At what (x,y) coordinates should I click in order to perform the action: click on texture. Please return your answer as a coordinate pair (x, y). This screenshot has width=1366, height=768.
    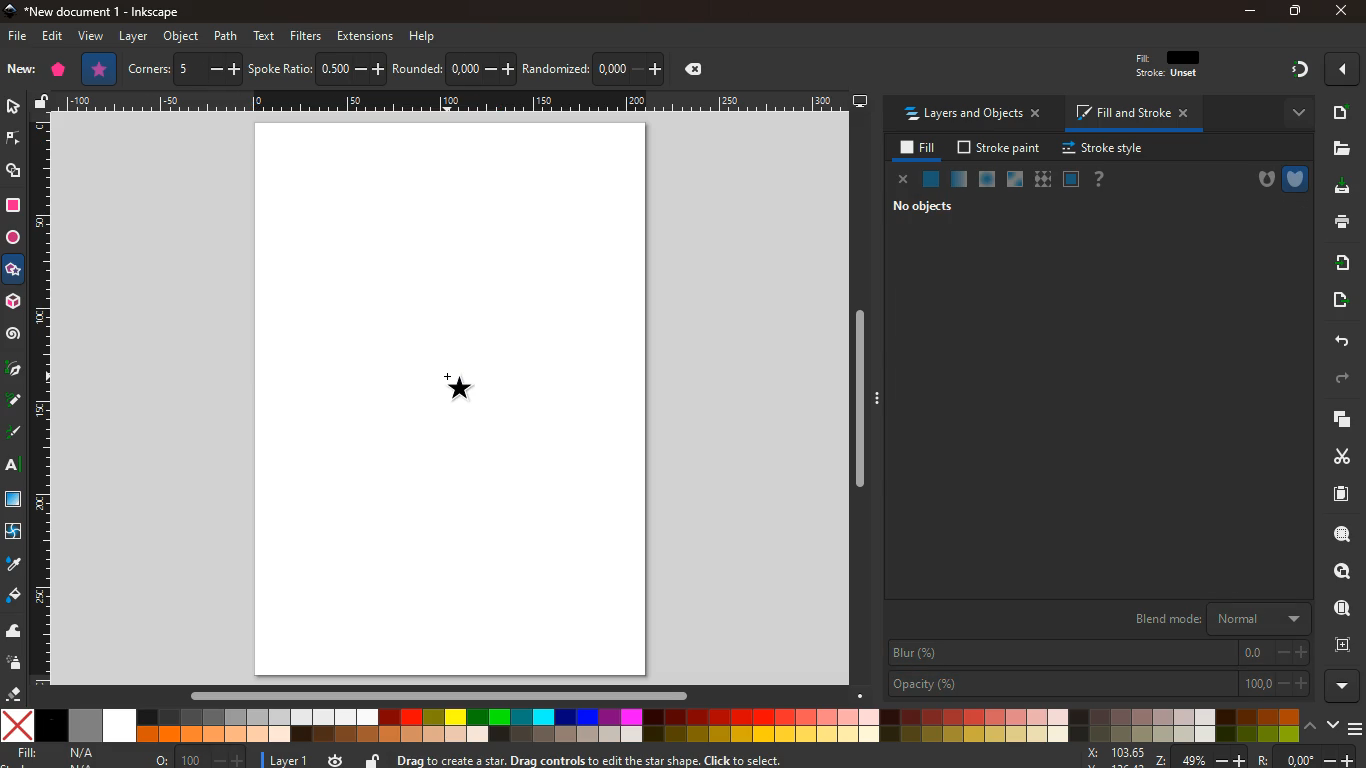
    Looking at the image, I should click on (1043, 177).